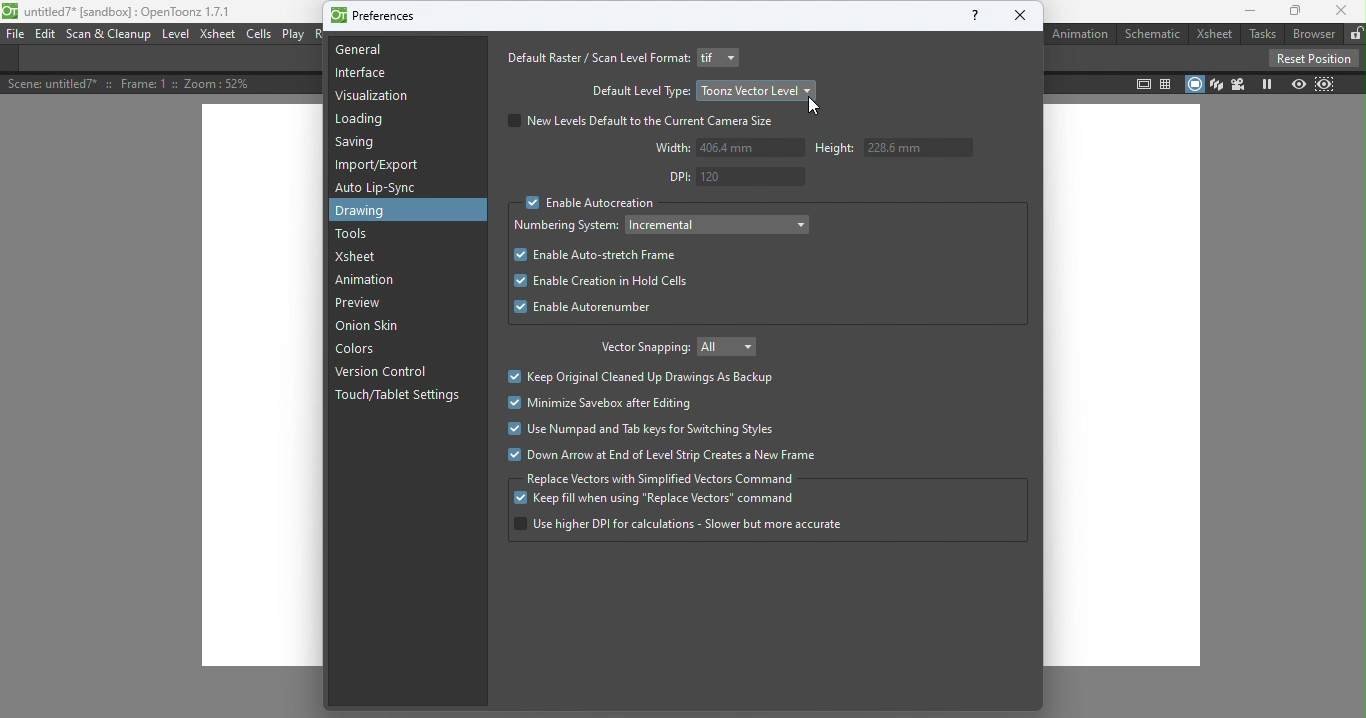 The image size is (1366, 718). Describe the element at coordinates (1079, 33) in the screenshot. I see `Animation` at that location.